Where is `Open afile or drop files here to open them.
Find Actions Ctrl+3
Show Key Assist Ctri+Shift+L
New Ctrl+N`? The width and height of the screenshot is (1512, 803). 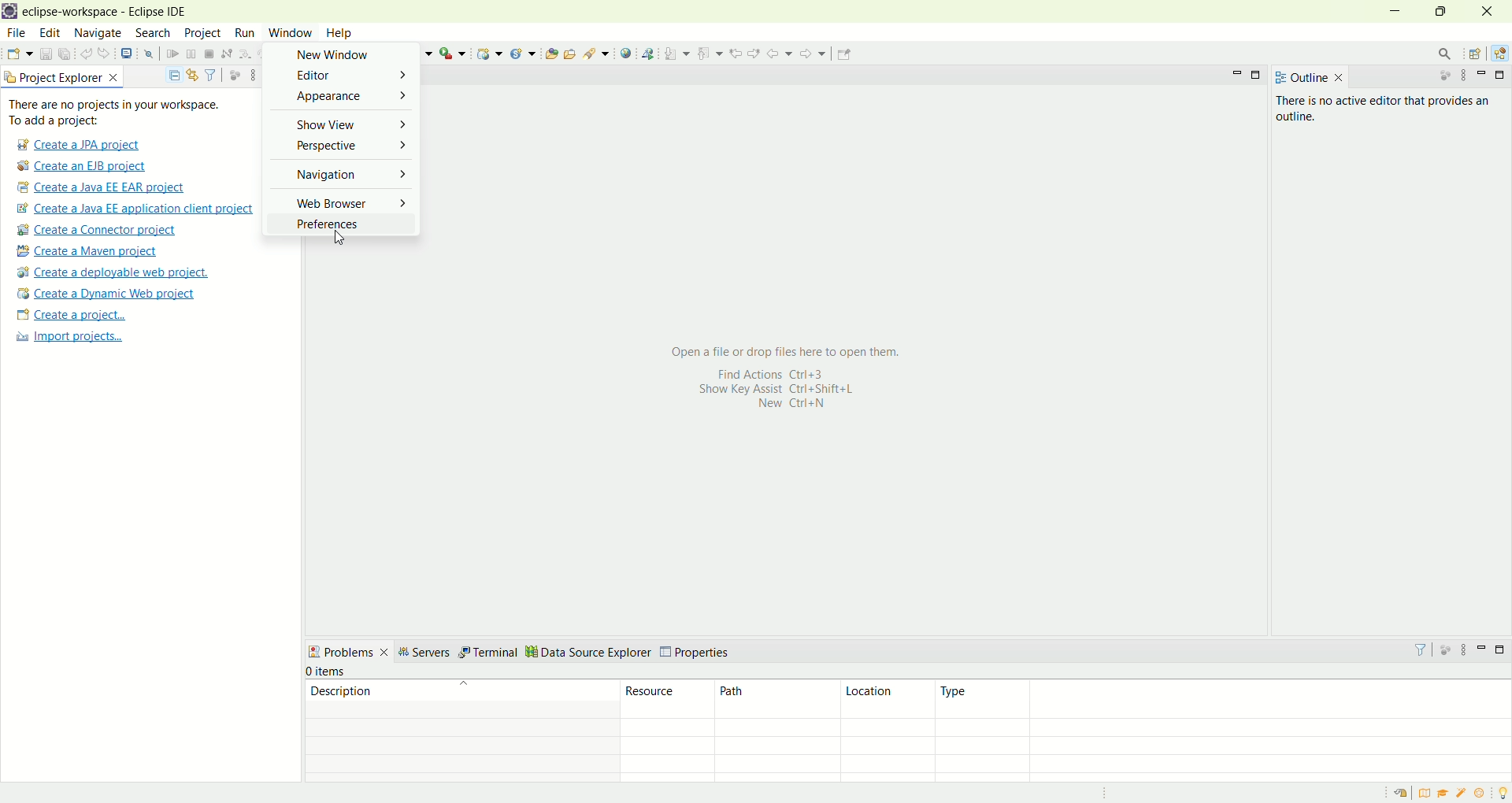 Open afile or drop files here to open them.
Find Actions Ctrl+3
Show Key Assist Ctri+Shift+L
New Ctrl+N is located at coordinates (780, 377).